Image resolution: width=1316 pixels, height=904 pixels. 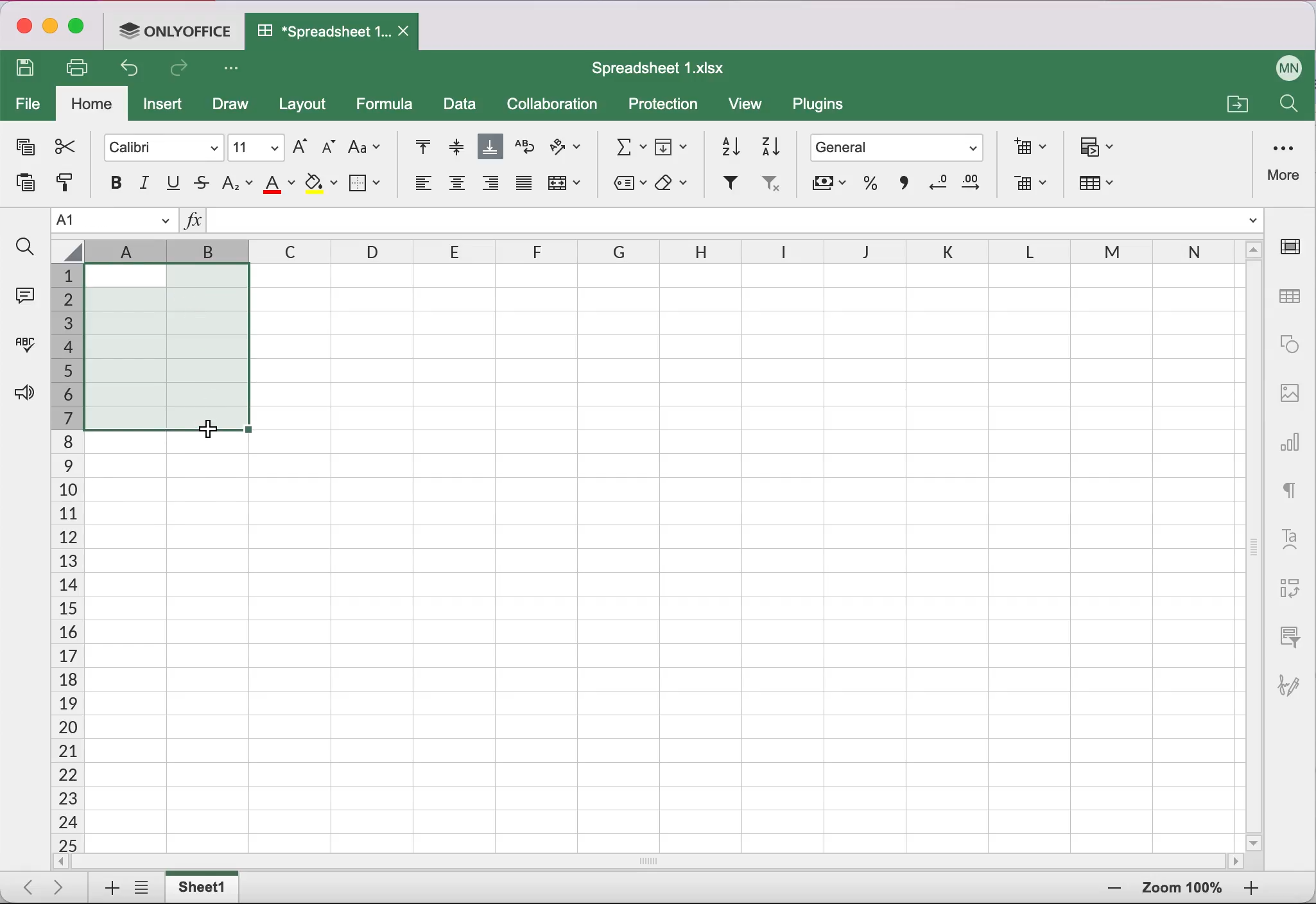 I want to click on filter, so click(x=729, y=184).